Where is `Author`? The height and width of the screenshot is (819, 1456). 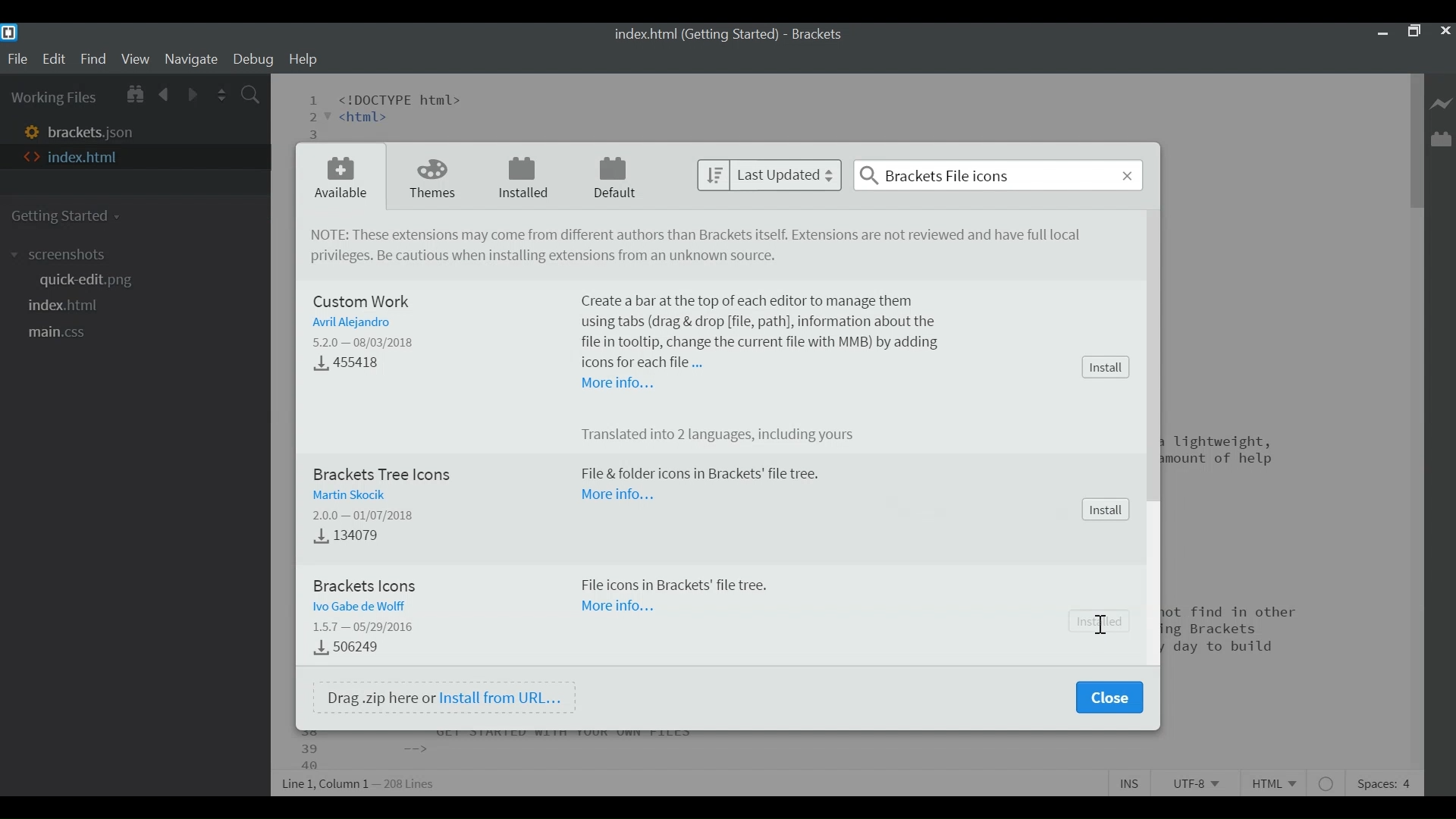
Author is located at coordinates (347, 493).